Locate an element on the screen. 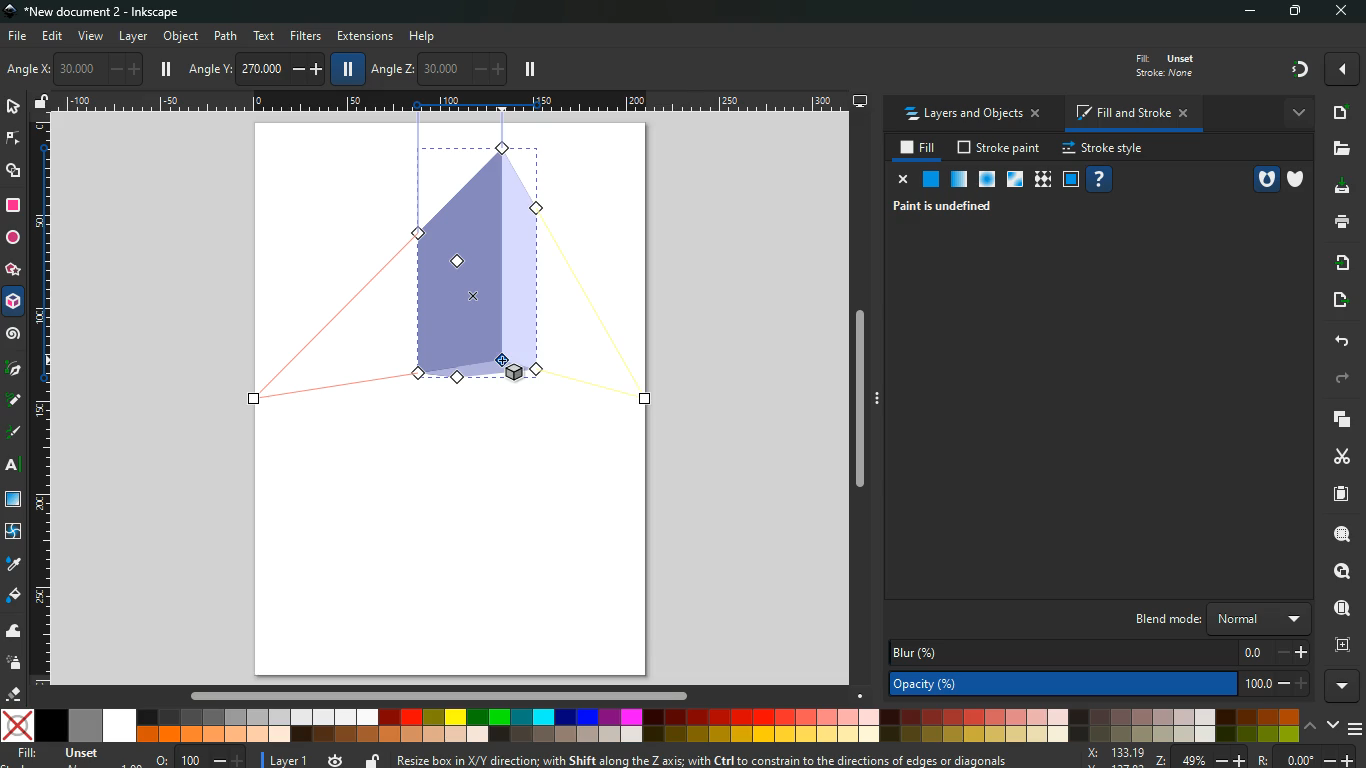  more is located at coordinates (1345, 687).